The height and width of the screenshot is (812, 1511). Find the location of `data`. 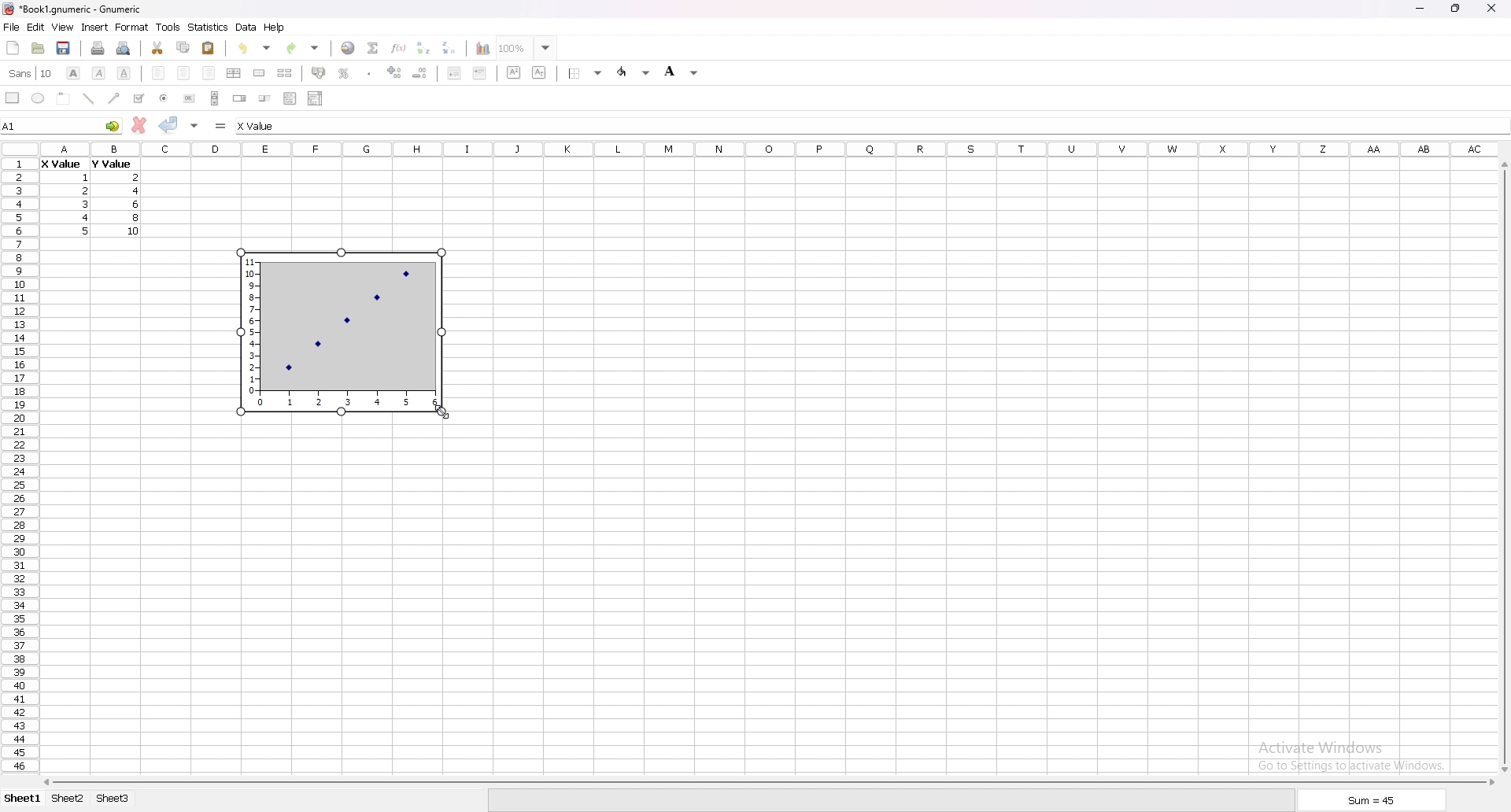

data is located at coordinates (246, 27).